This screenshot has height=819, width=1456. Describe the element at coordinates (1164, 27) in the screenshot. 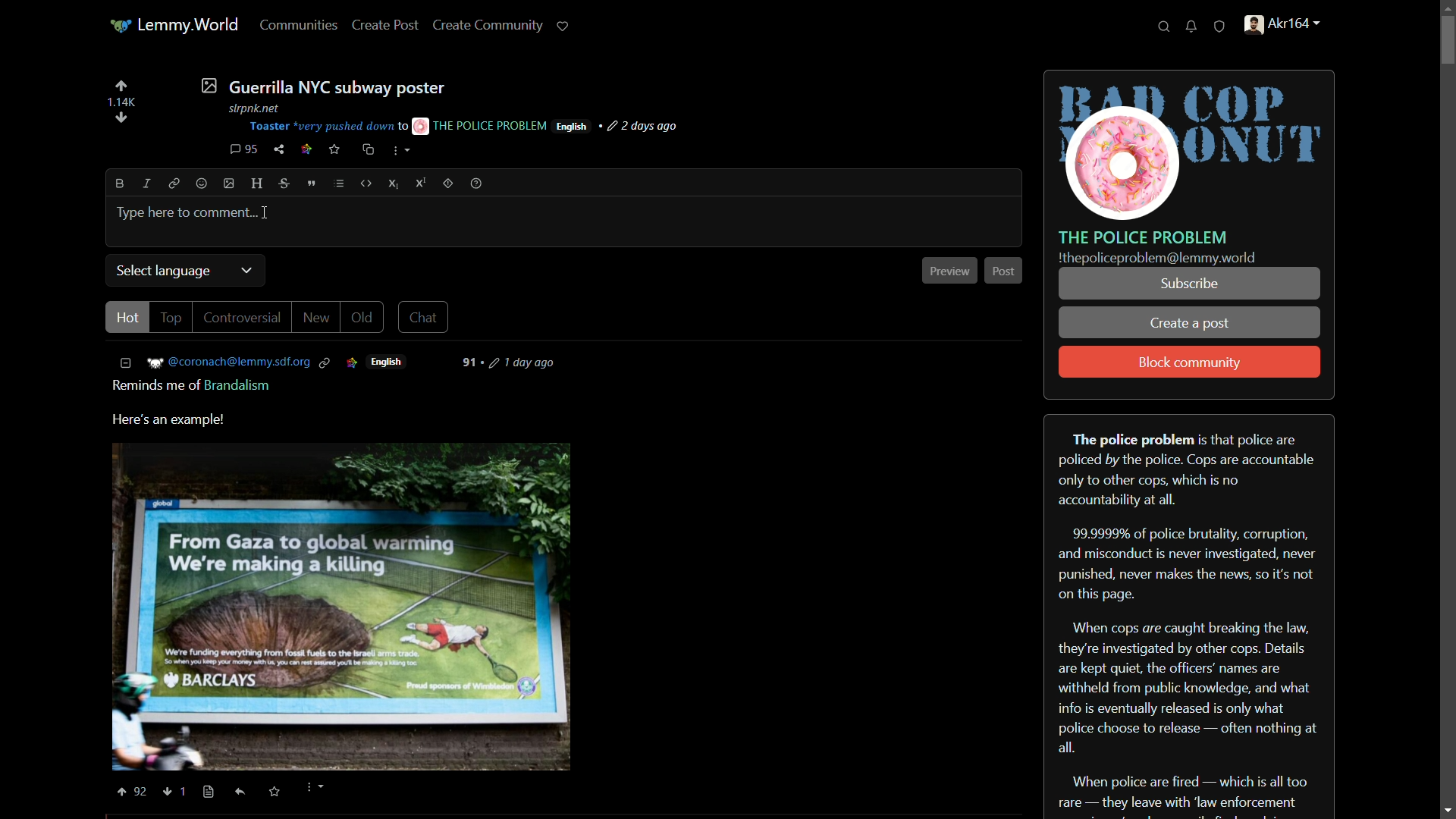

I see `search` at that location.